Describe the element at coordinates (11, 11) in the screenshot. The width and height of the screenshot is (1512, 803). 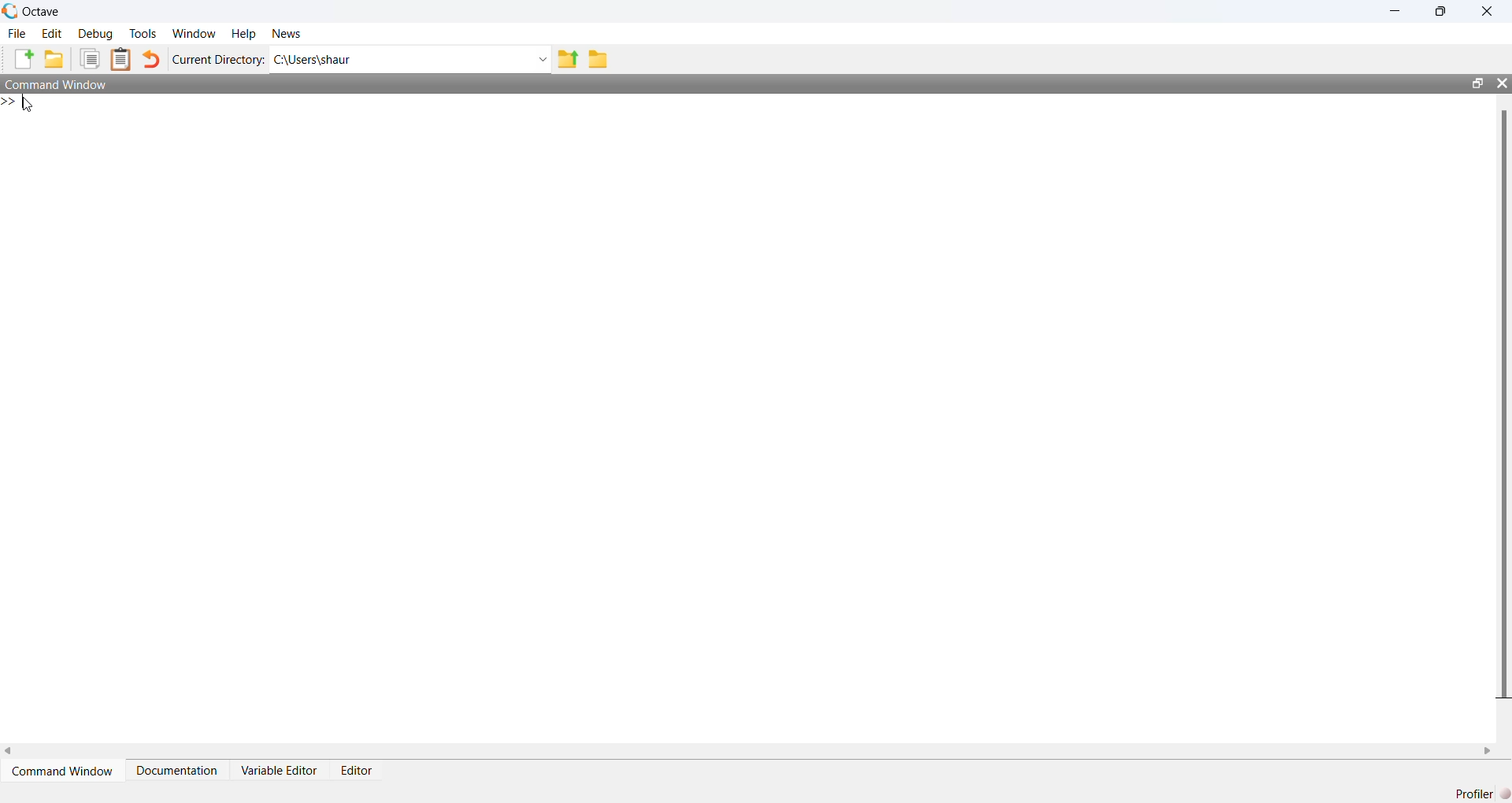
I see `logo` at that location.